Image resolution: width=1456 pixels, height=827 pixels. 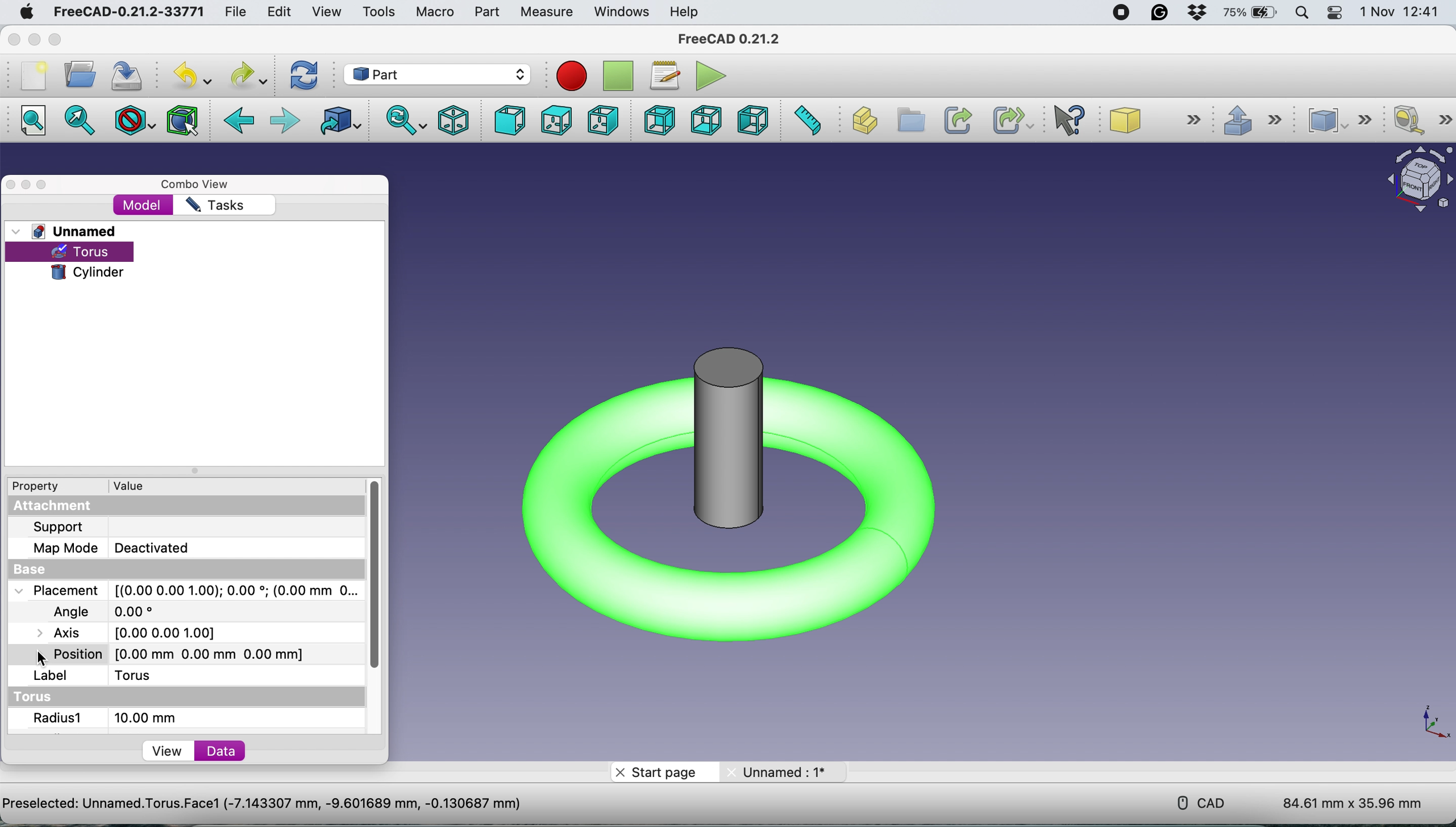 What do you see at coordinates (618, 76) in the screenshot?
I see `stop recording macros` at bounding box center [618, 76].